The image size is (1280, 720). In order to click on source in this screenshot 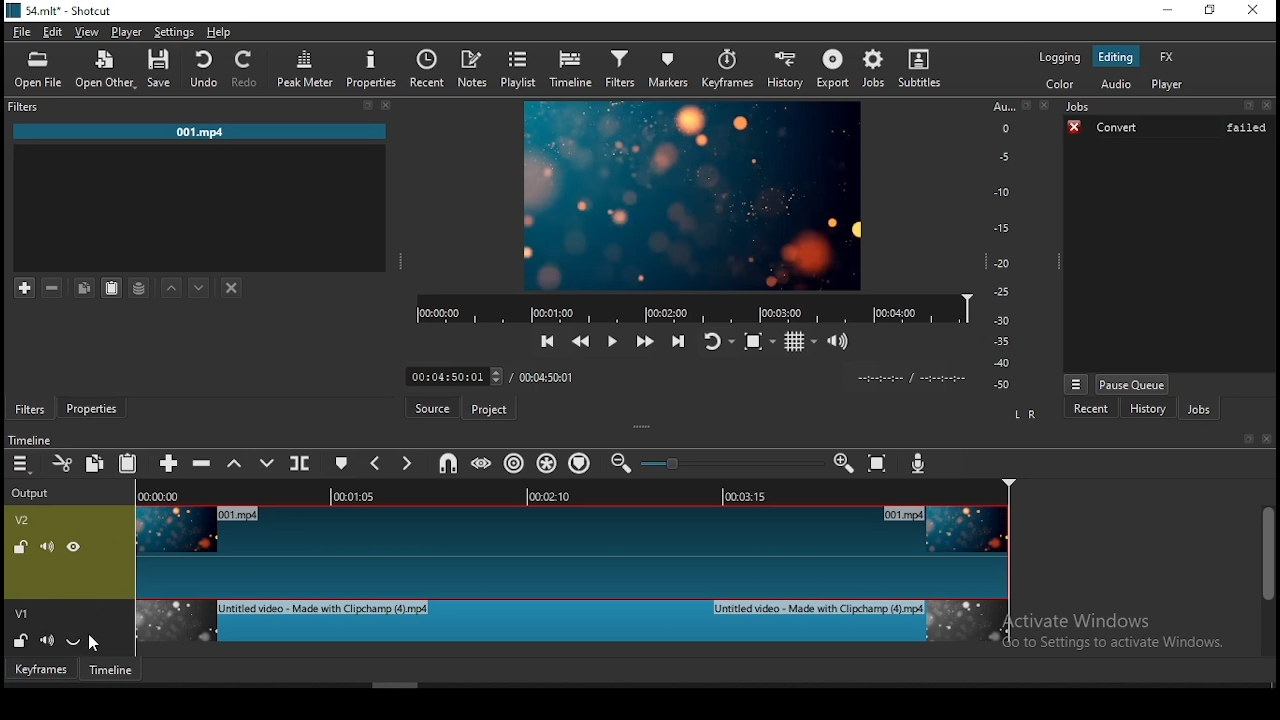, I will do `click(433, 407)`.